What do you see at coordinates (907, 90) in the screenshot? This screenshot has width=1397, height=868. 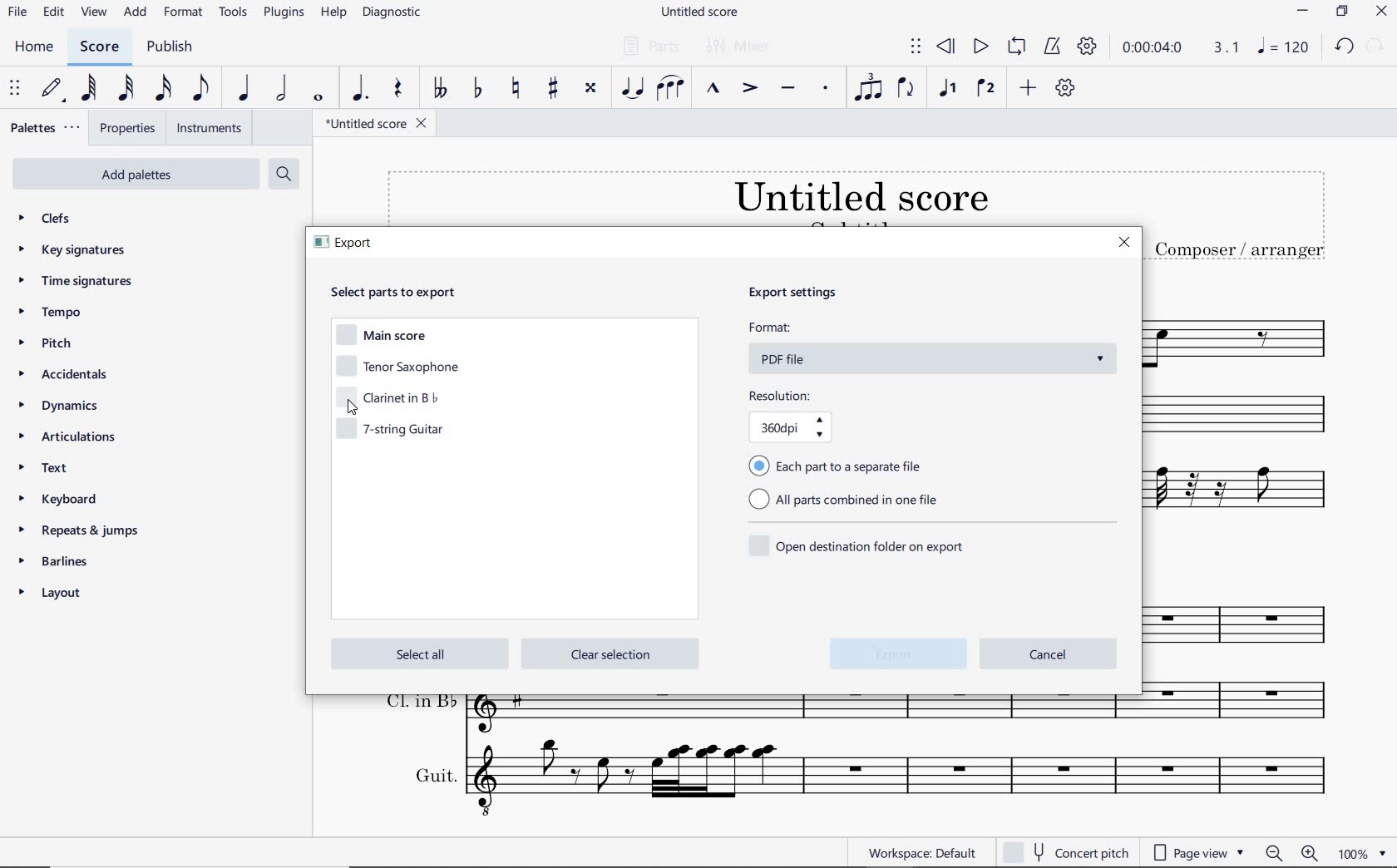 I see `FLIP DIRECTION` at bounding box center [907, 90].